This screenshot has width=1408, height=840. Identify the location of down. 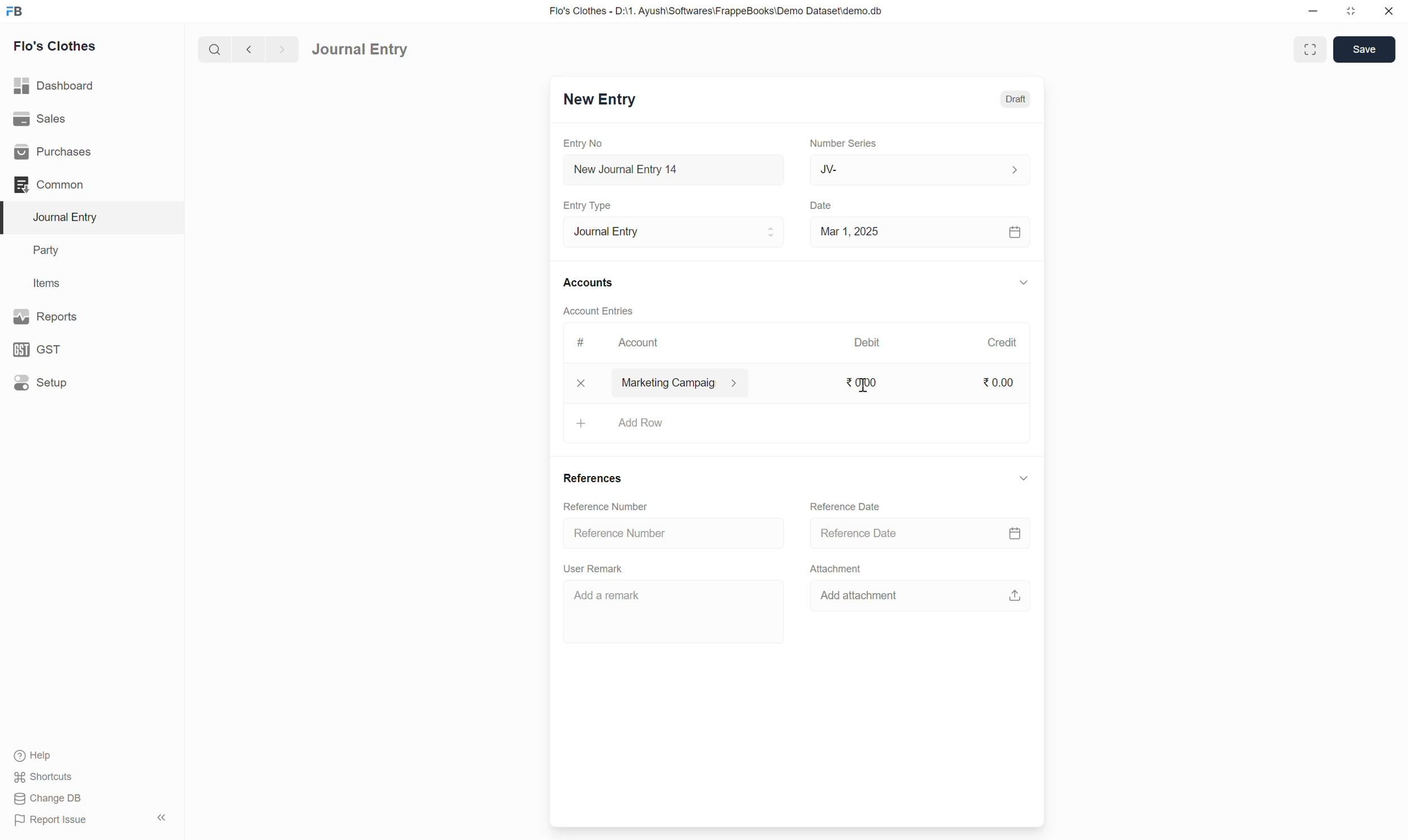
(1022, 284).